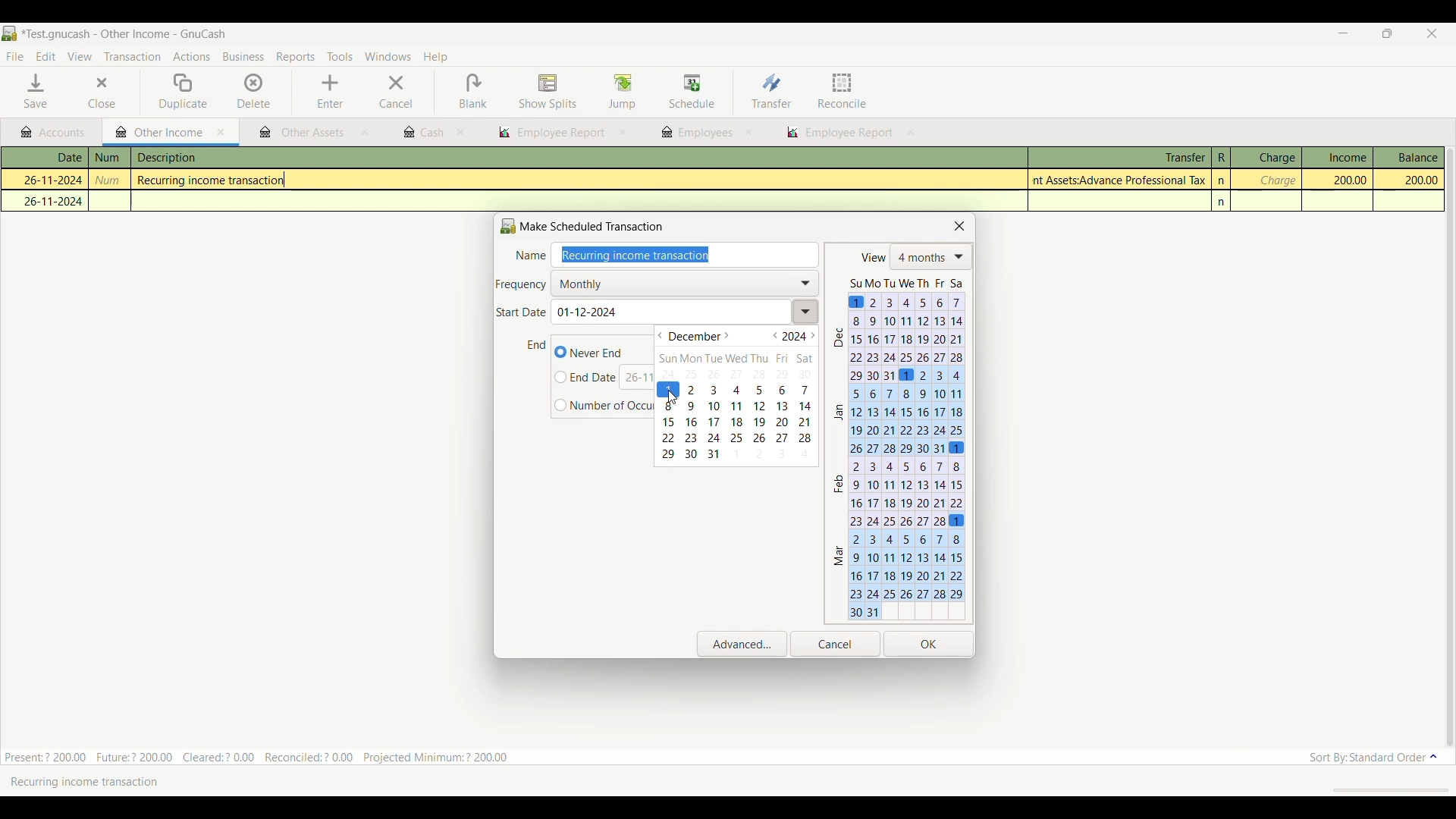  Describe the element at coordinates (736, 406) in the screenshot. I see `Calendar of above mentioned month` at that location.